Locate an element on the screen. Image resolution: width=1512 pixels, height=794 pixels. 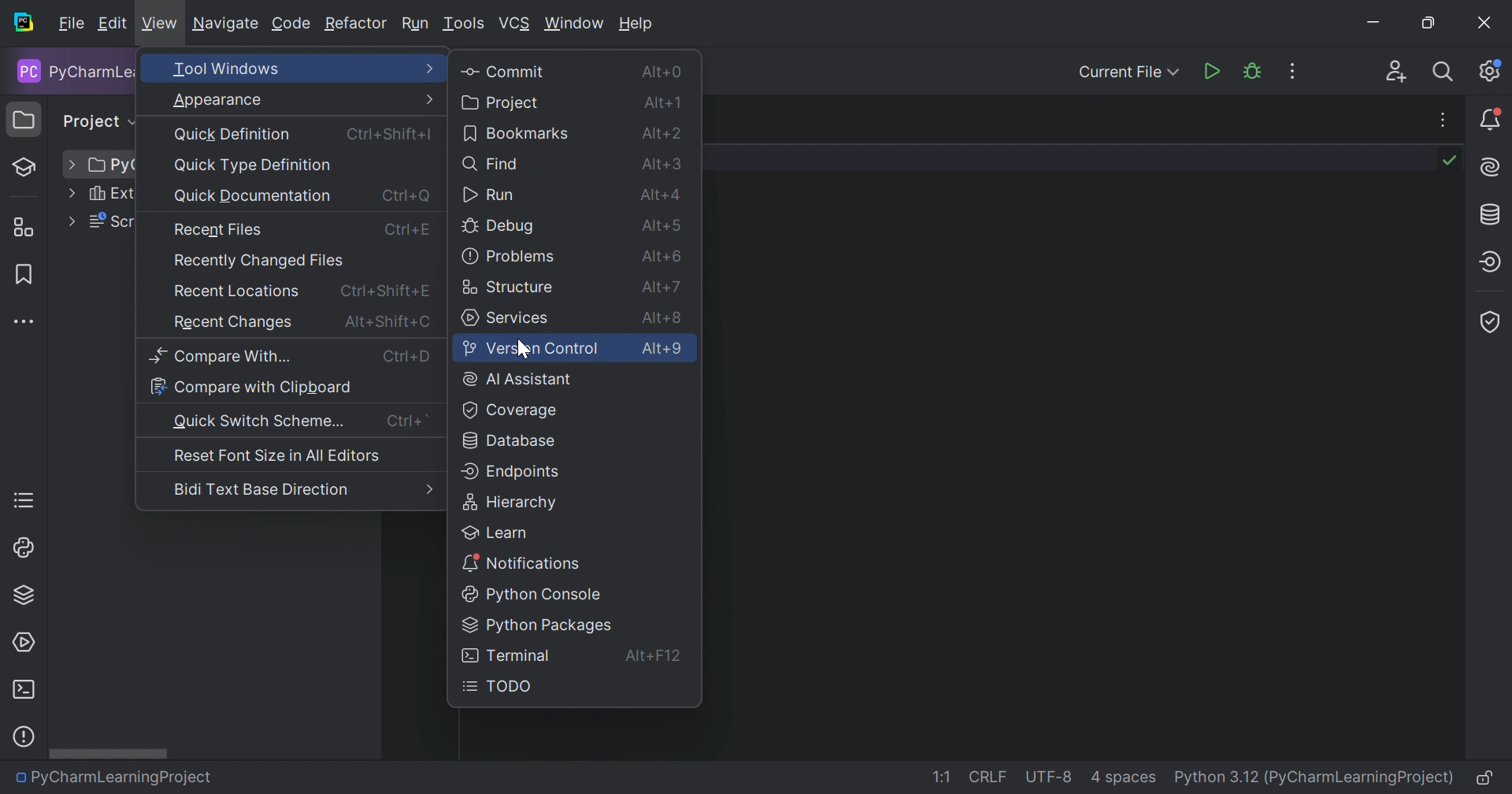
Structure is located at coordinates (28, 228).